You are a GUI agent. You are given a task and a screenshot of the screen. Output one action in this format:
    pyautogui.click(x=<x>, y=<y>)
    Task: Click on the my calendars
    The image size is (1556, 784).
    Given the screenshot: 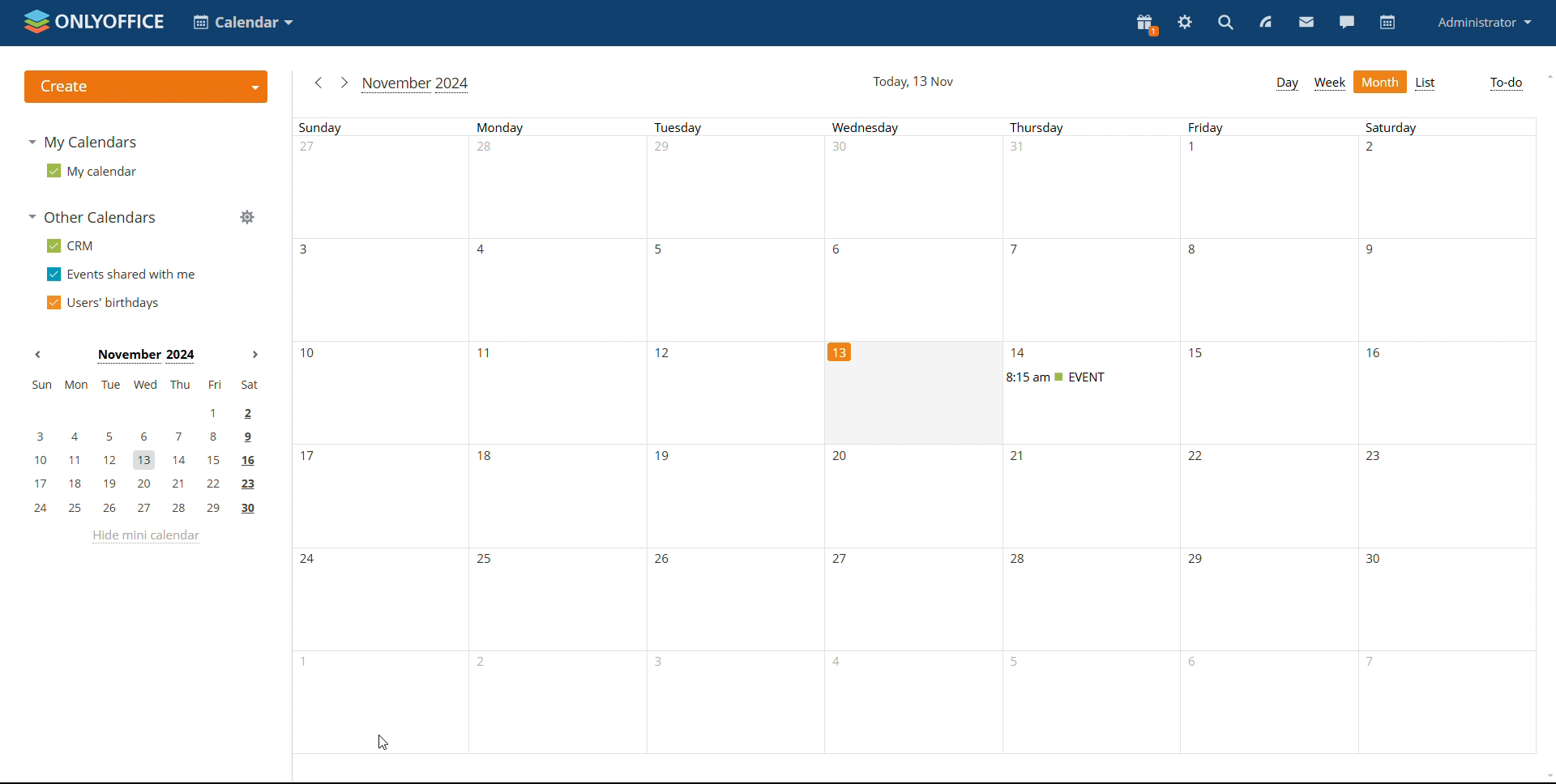 What is the action you would take?
    pyautogui.click(x=86, y=143)
    